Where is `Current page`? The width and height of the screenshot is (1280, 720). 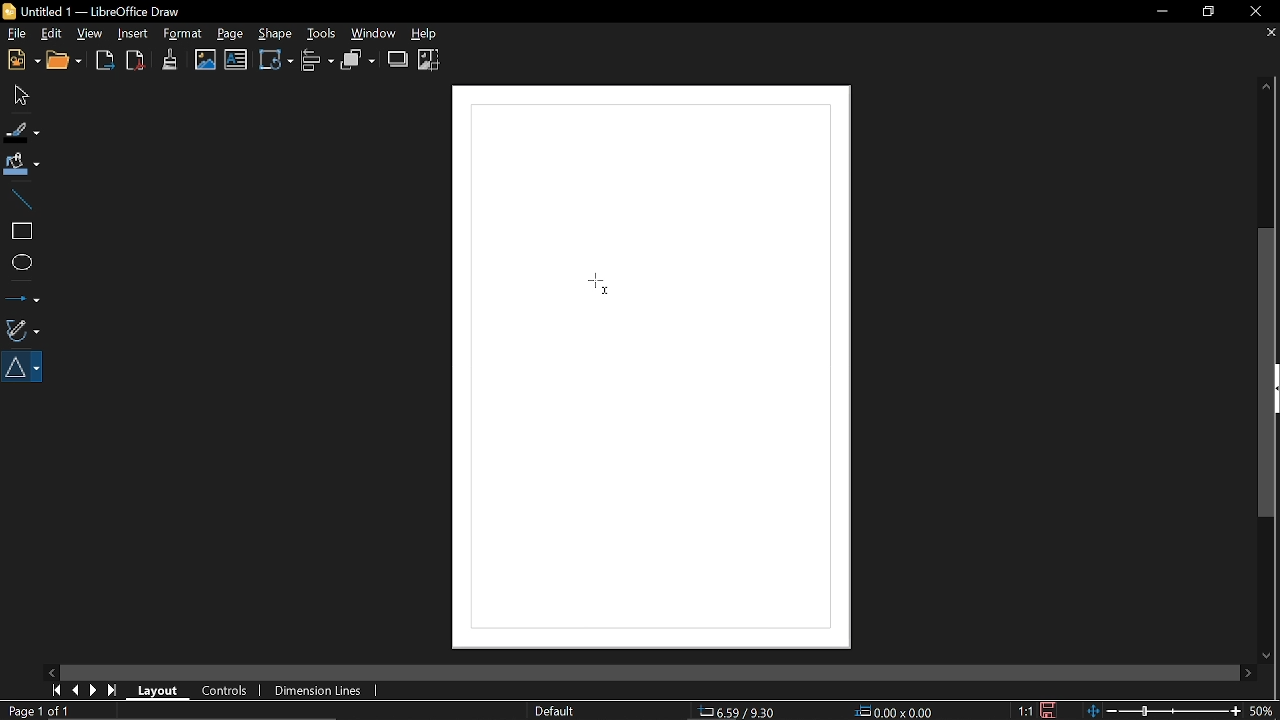 Current page is located at coordinates (41, 711).